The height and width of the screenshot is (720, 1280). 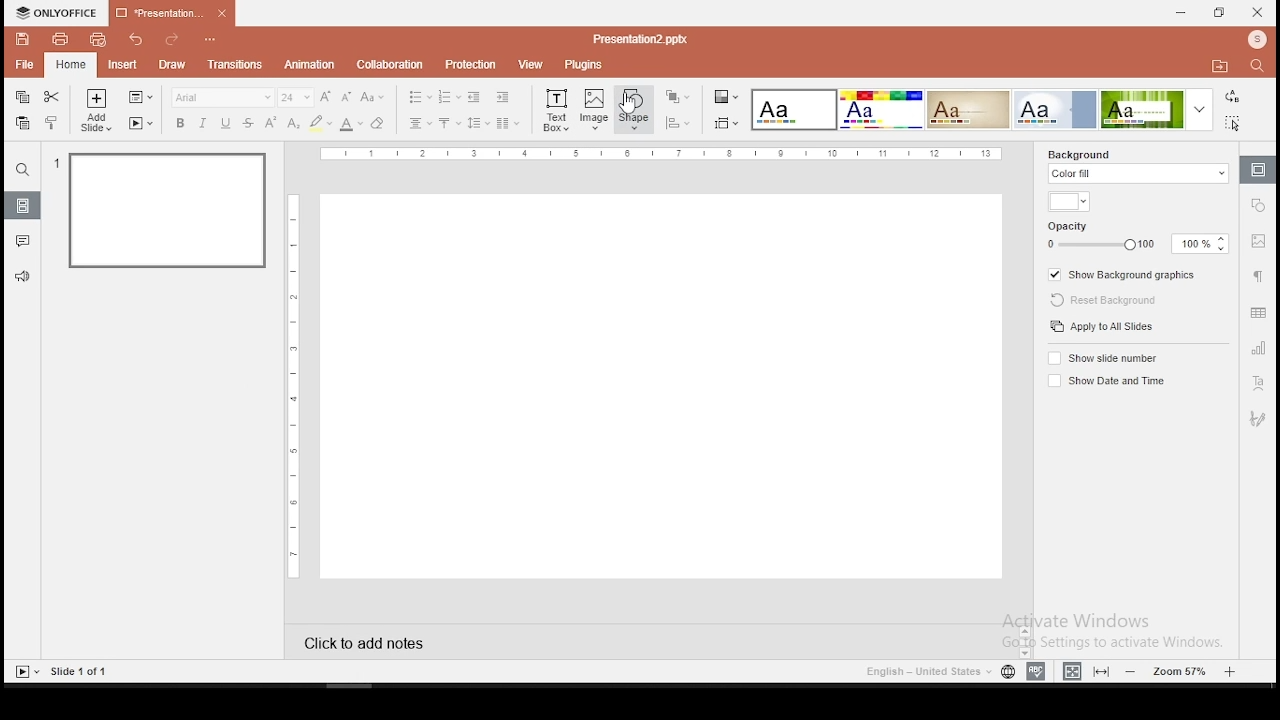 What do you see at coordinates (1039, 669) in the screenshot?
I see `spell check` at bounding box center [1039, 669].